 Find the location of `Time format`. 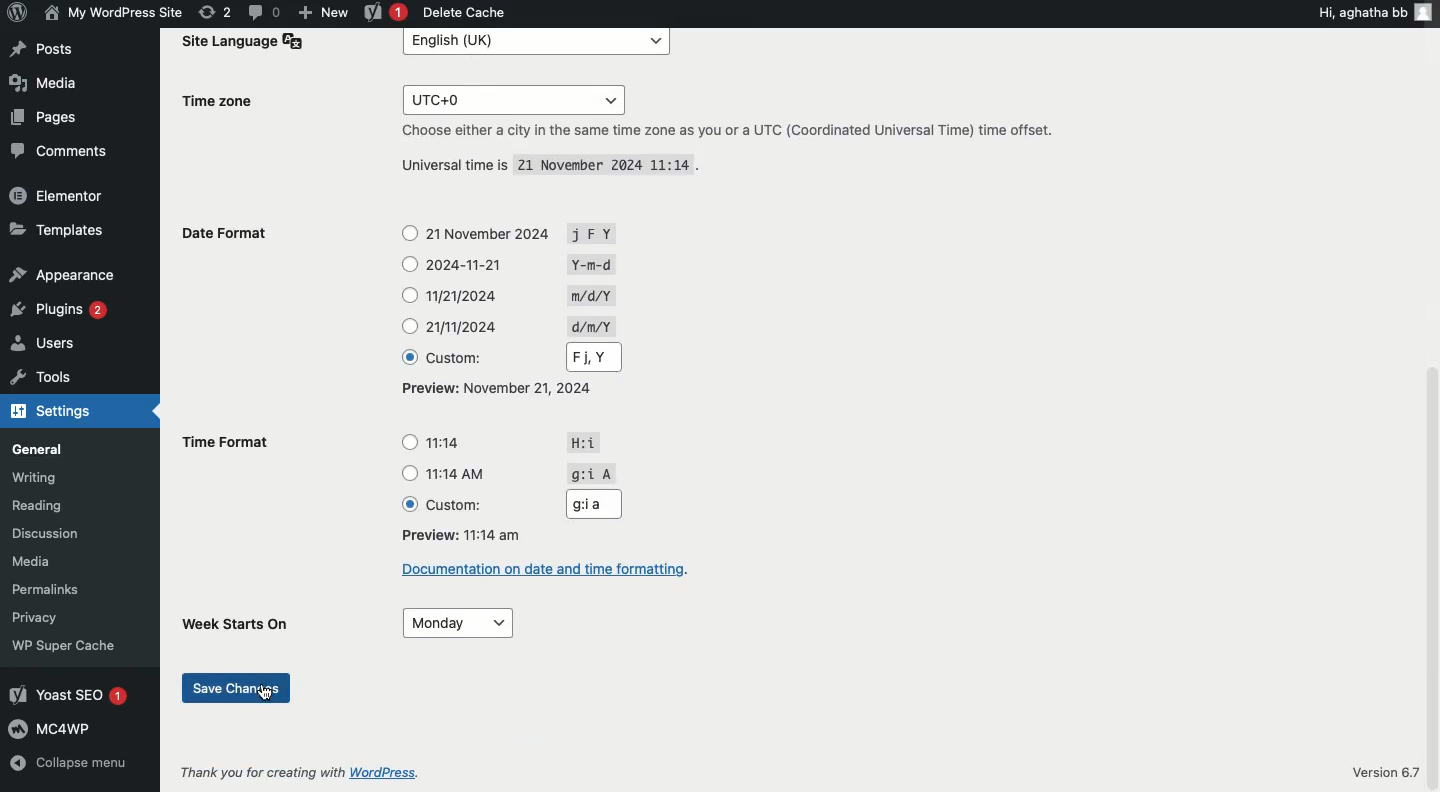

Time format is located at coordinates (229, 445).